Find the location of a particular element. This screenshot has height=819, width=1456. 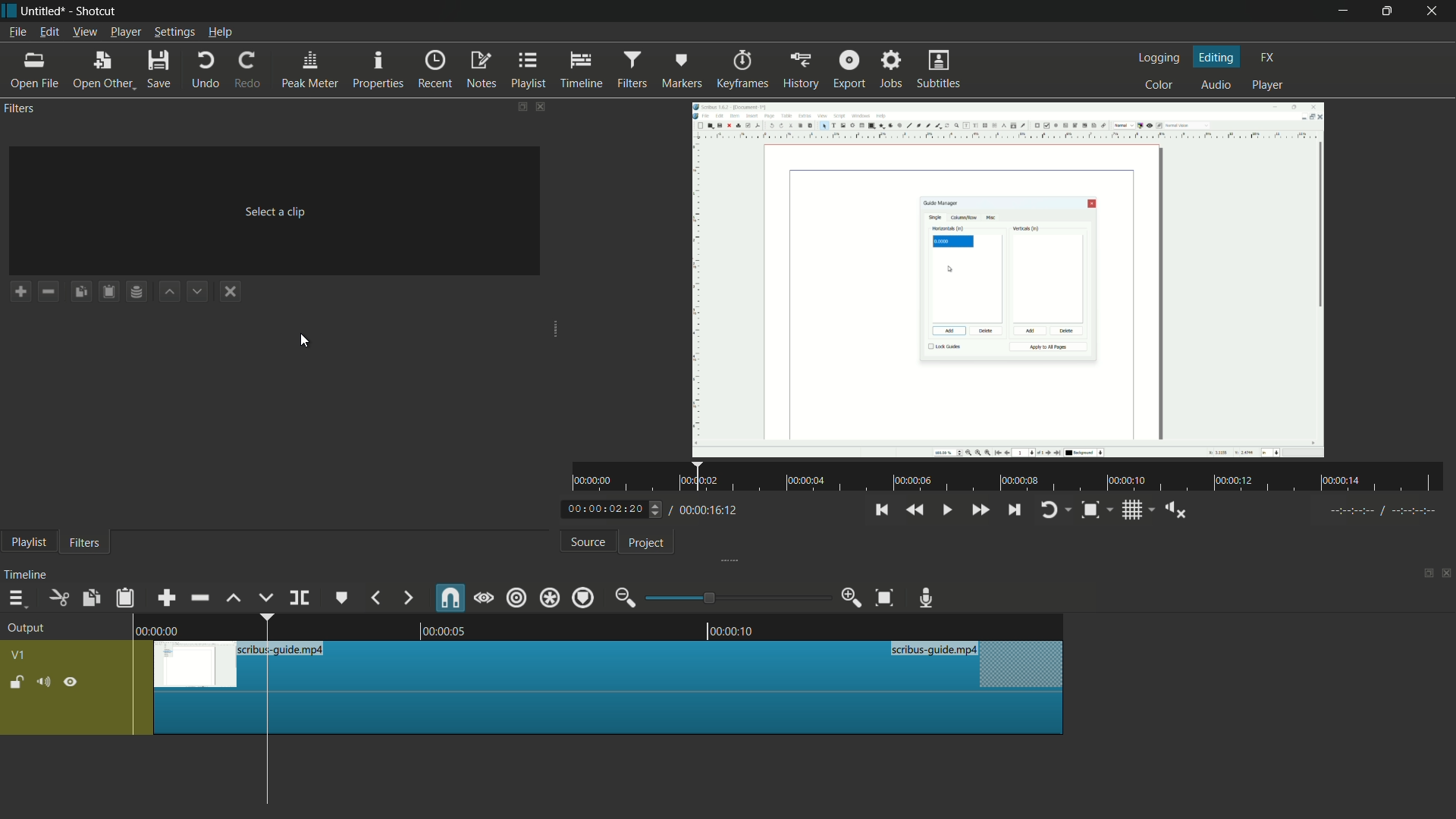

show volume control is located at coordinates (1175, 510).